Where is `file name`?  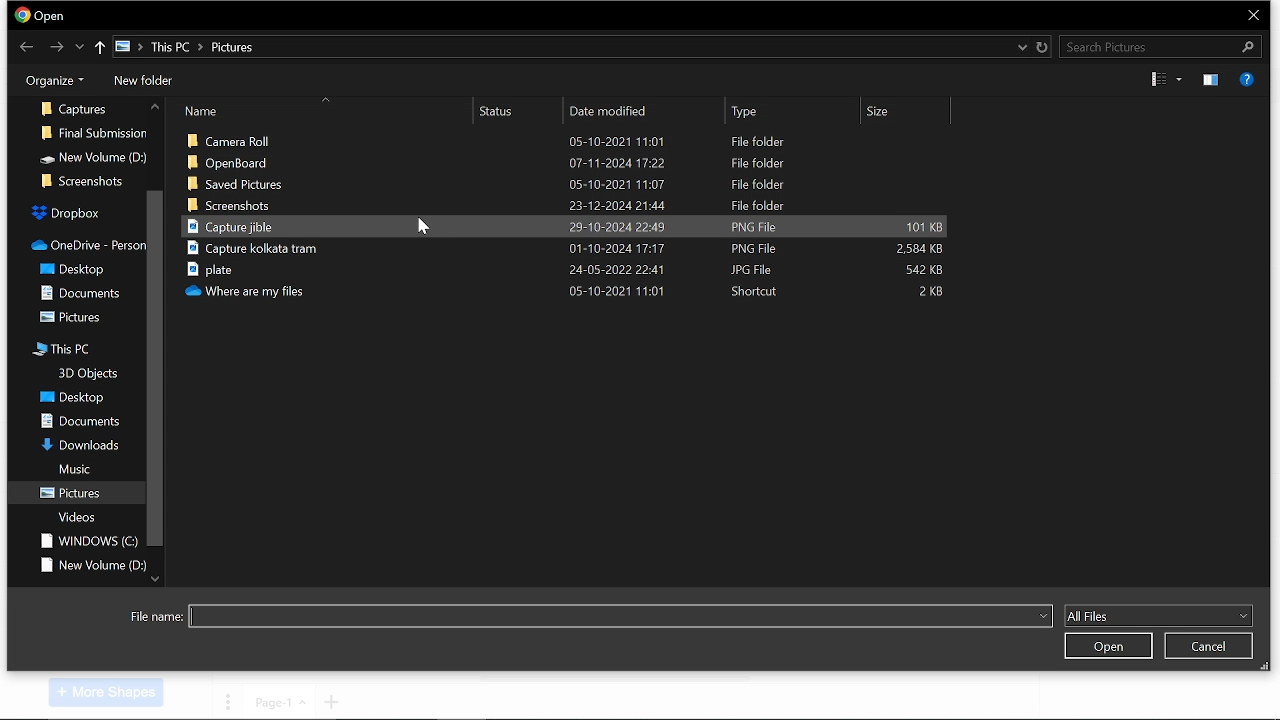 file name is located at coordinates (619, 615).